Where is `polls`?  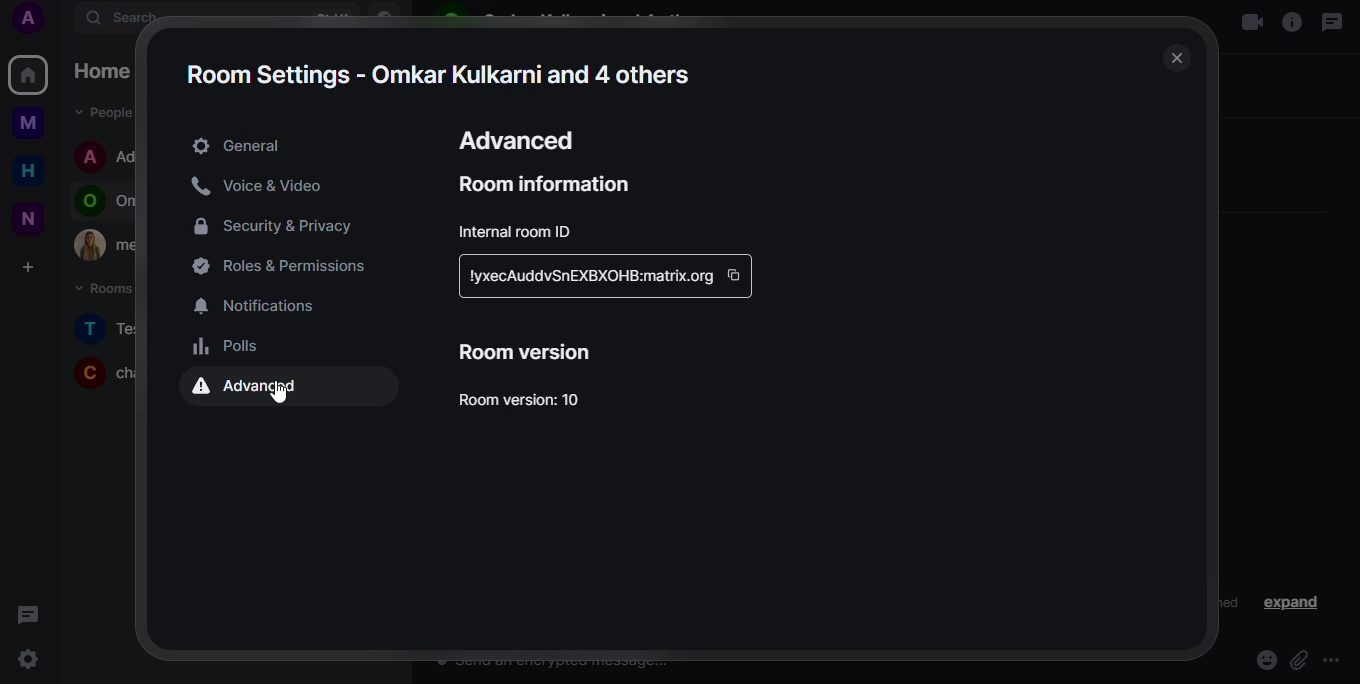 polls is located at coordinates (231, 346).